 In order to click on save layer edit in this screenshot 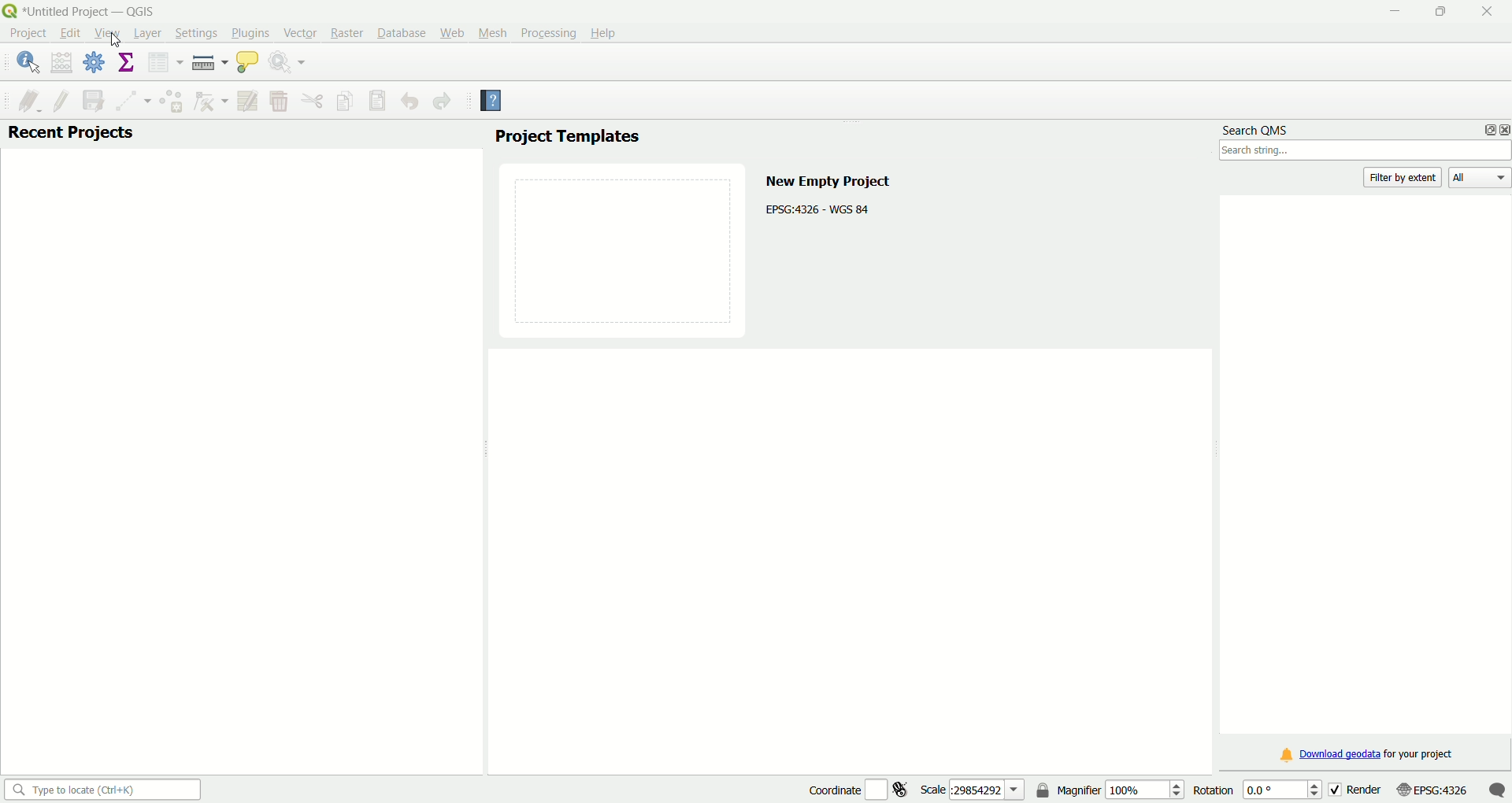, I will do `click(91, 99)`.